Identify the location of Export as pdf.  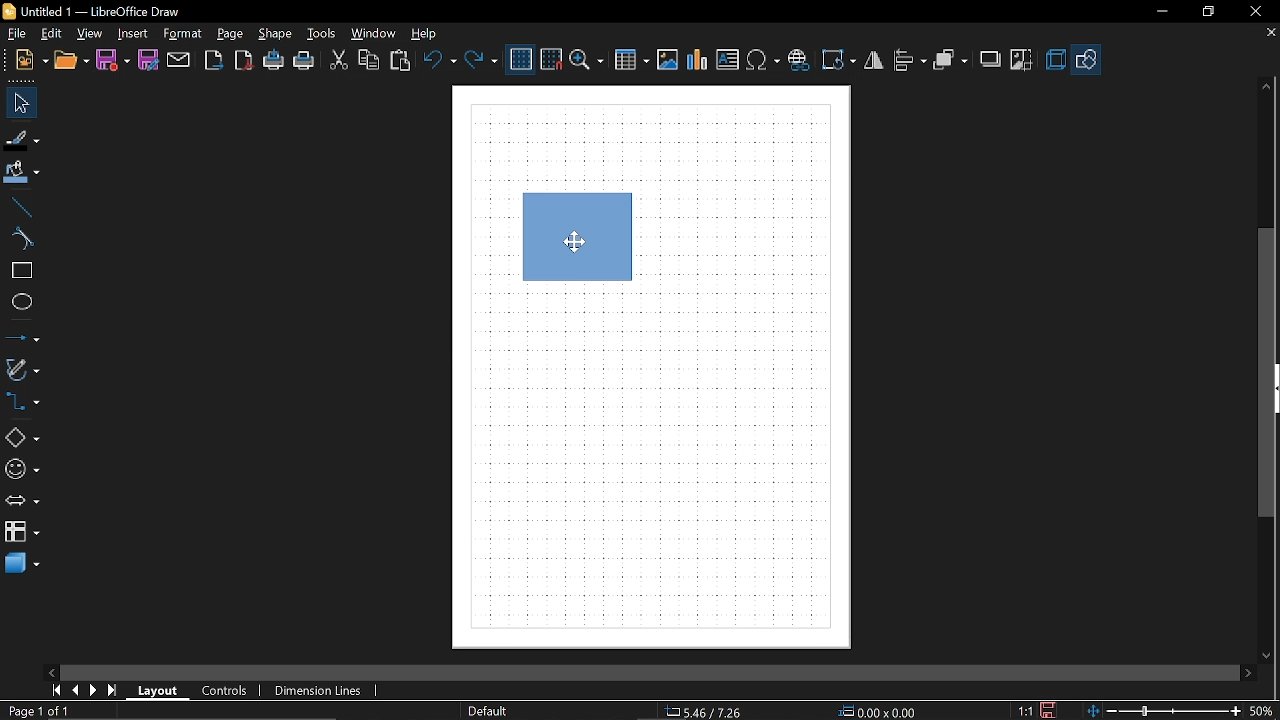
(244, 62).